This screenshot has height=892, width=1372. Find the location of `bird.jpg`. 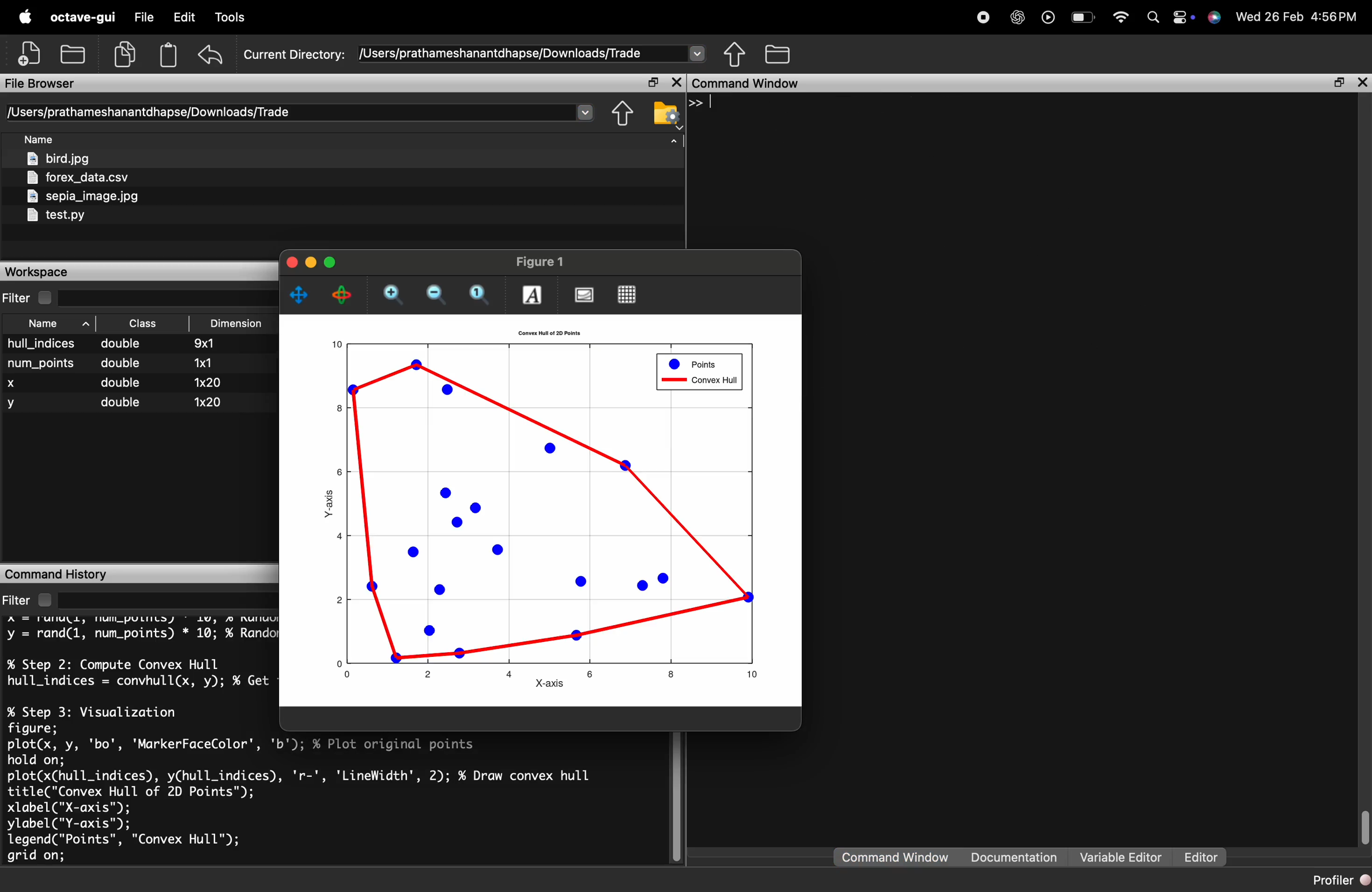

bird.jpg is located at coordinates (58, 158).